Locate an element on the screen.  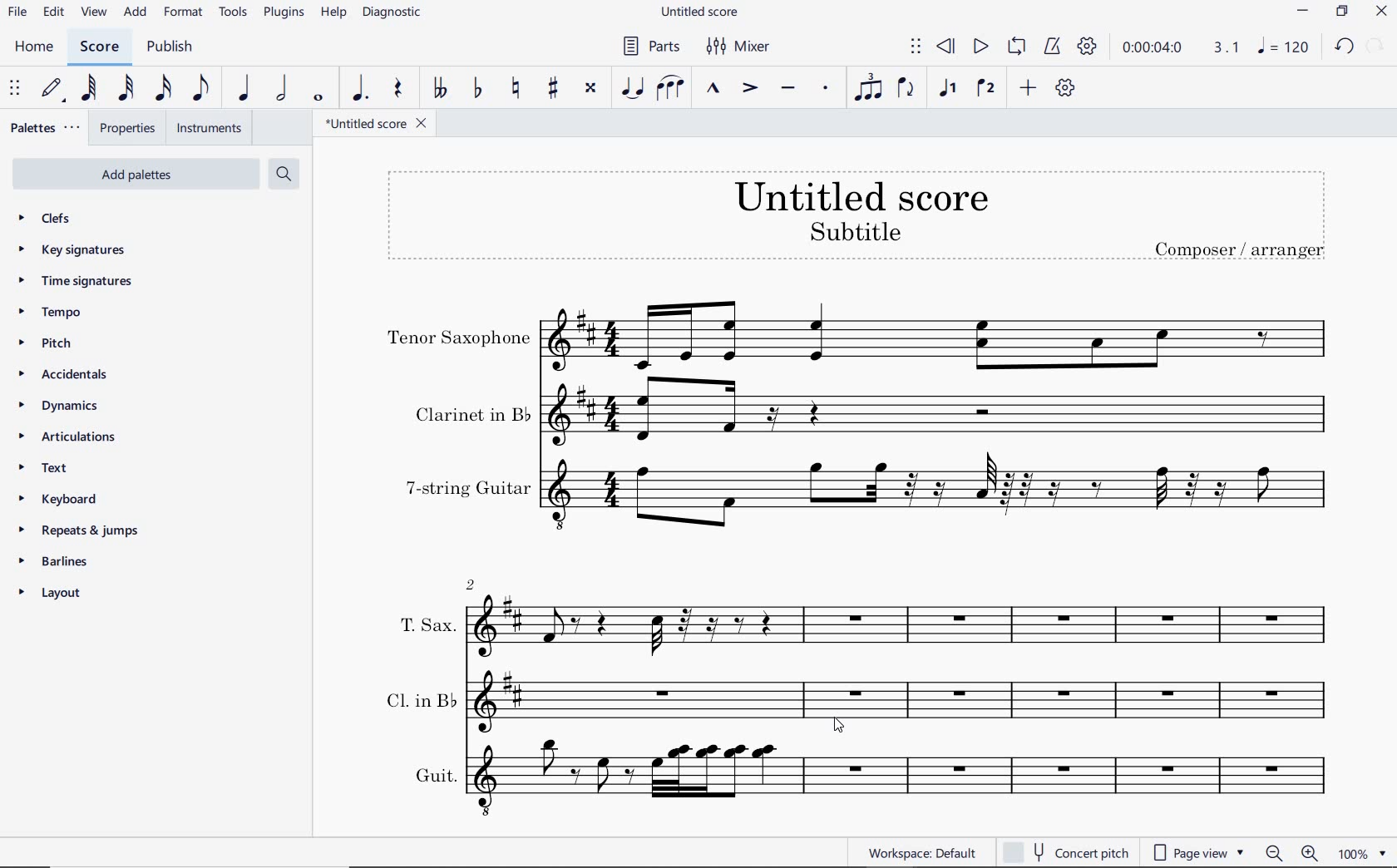
MARCATO is located at coordinates (713, 89).